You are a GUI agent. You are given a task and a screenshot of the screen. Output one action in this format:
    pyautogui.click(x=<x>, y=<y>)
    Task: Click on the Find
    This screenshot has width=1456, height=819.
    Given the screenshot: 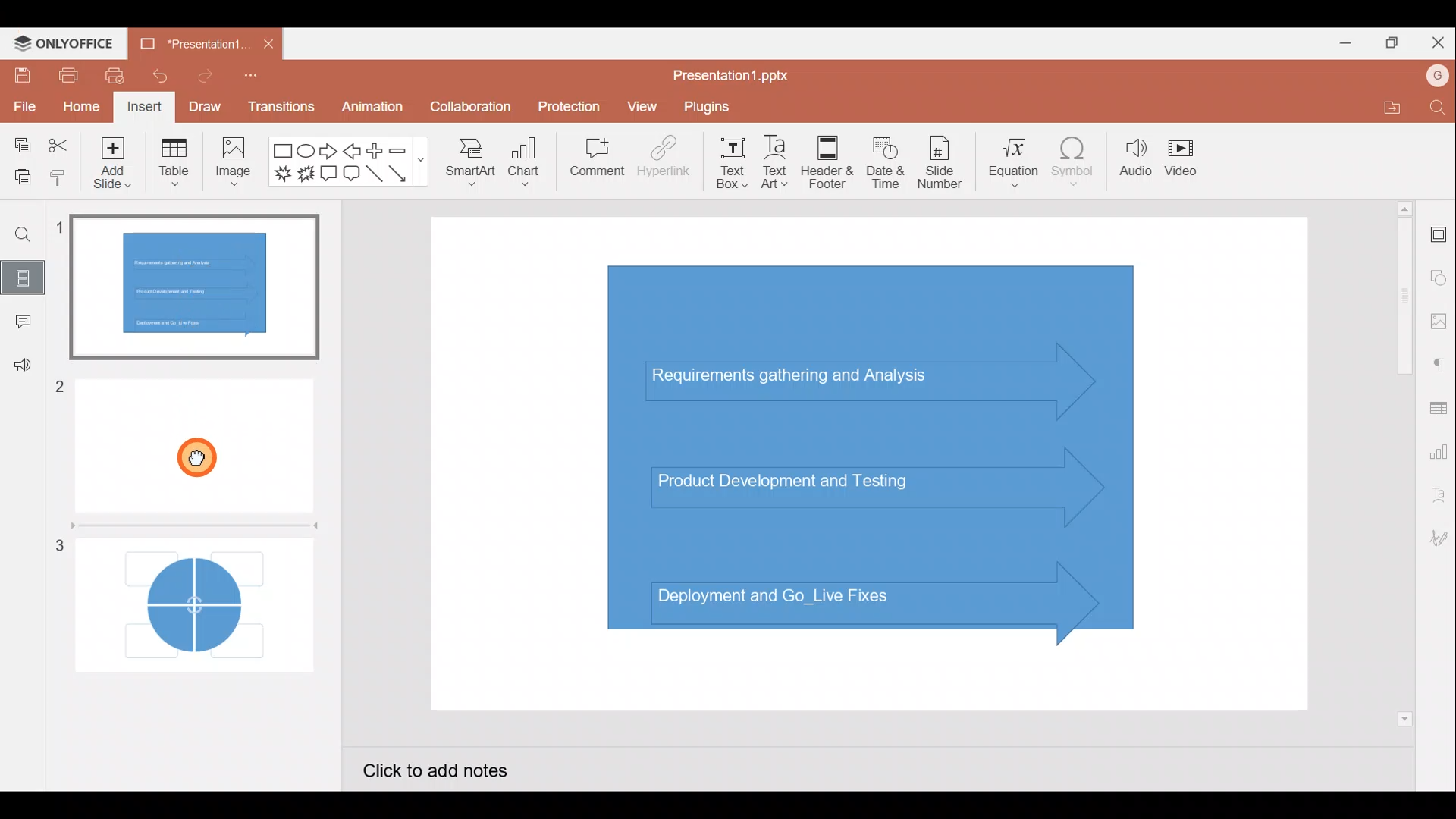 What is the action you would take?
    pyautogui.click(x=1435, y=108)
    